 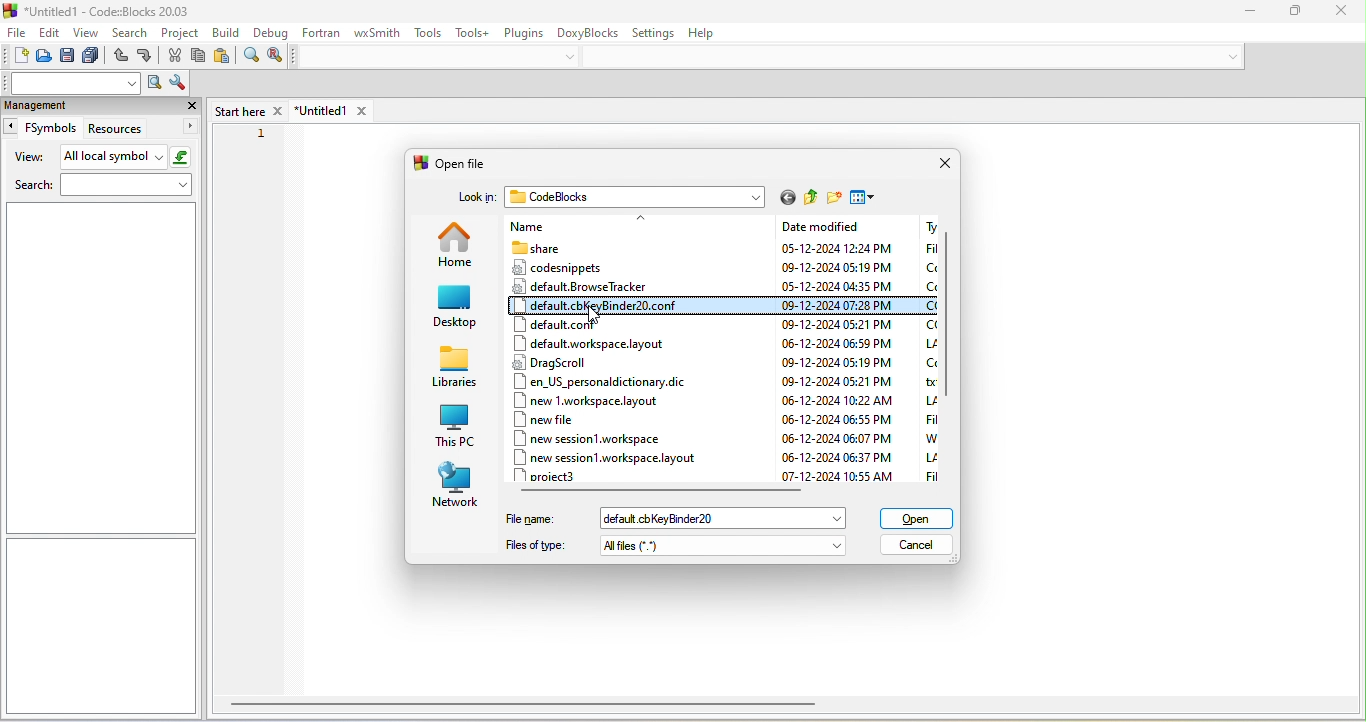 I want to click on name, so click(x=578, y=224).